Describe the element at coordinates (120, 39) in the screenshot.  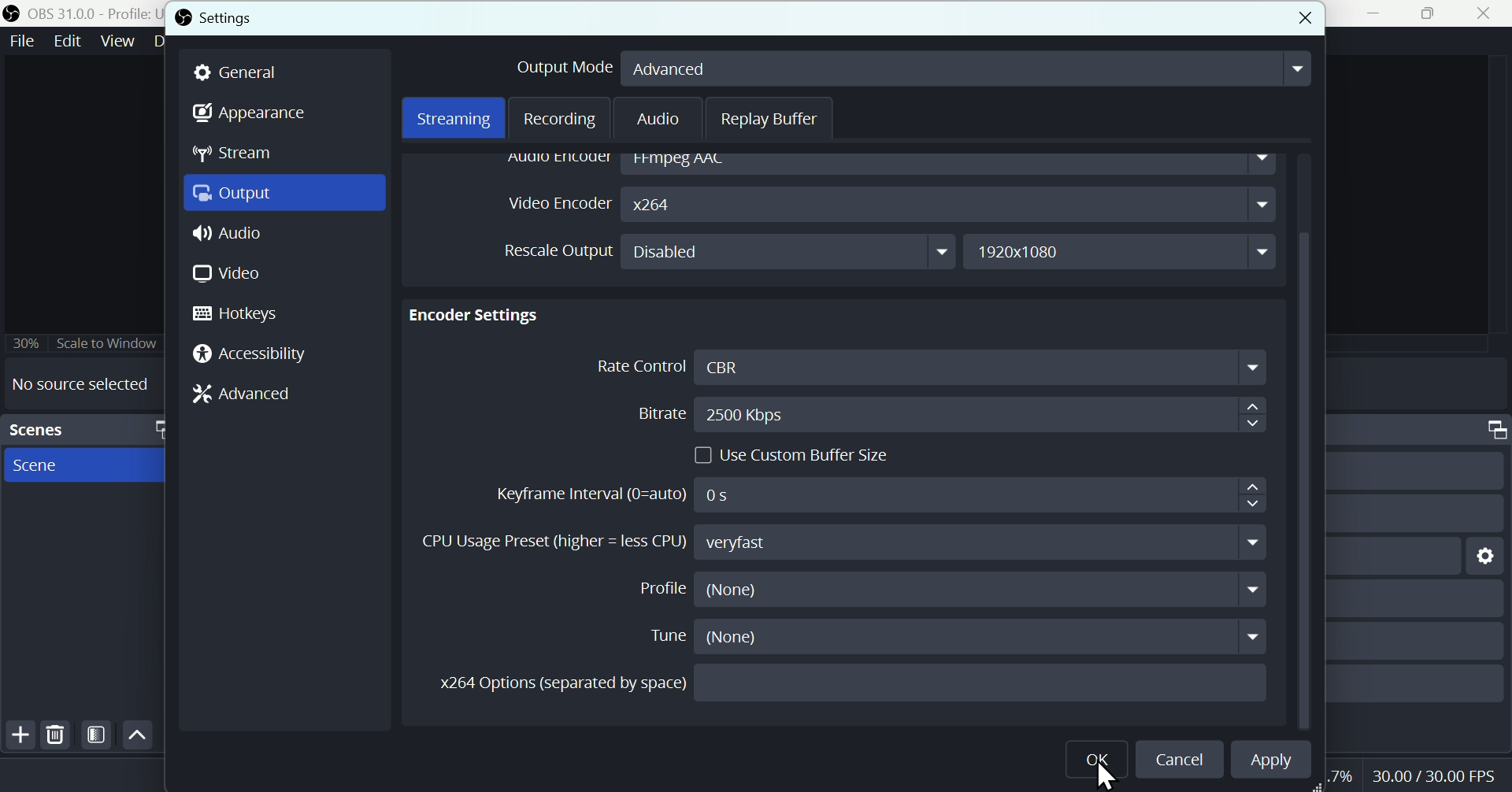
I see `View` at that location.